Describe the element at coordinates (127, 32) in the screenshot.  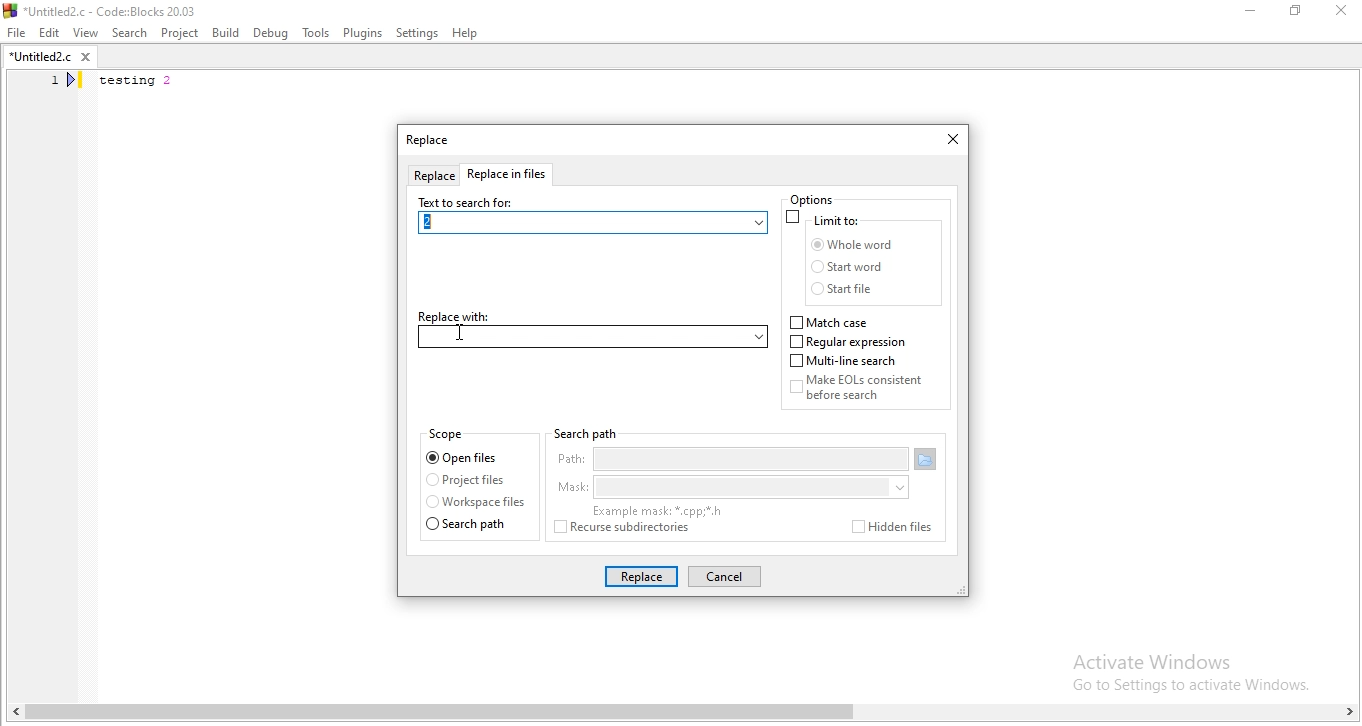
I see `Search ` at that location.